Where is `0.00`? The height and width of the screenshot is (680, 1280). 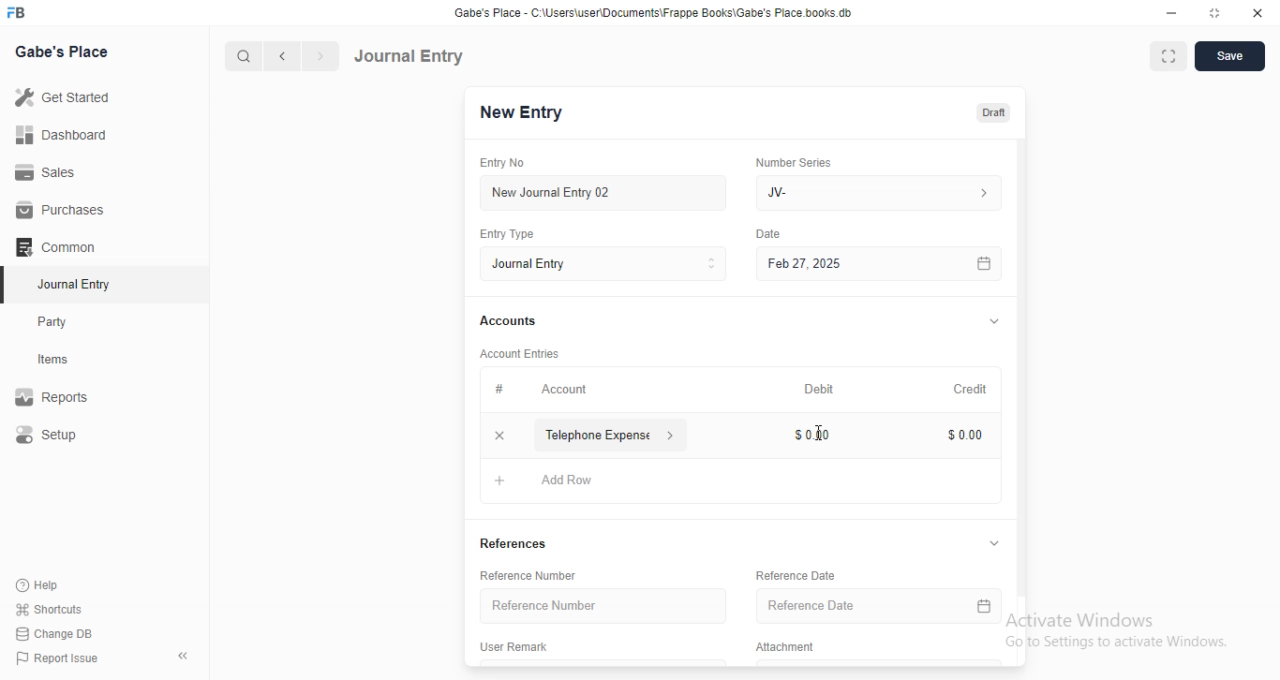
0.00 is located at coordinates (807, 435).